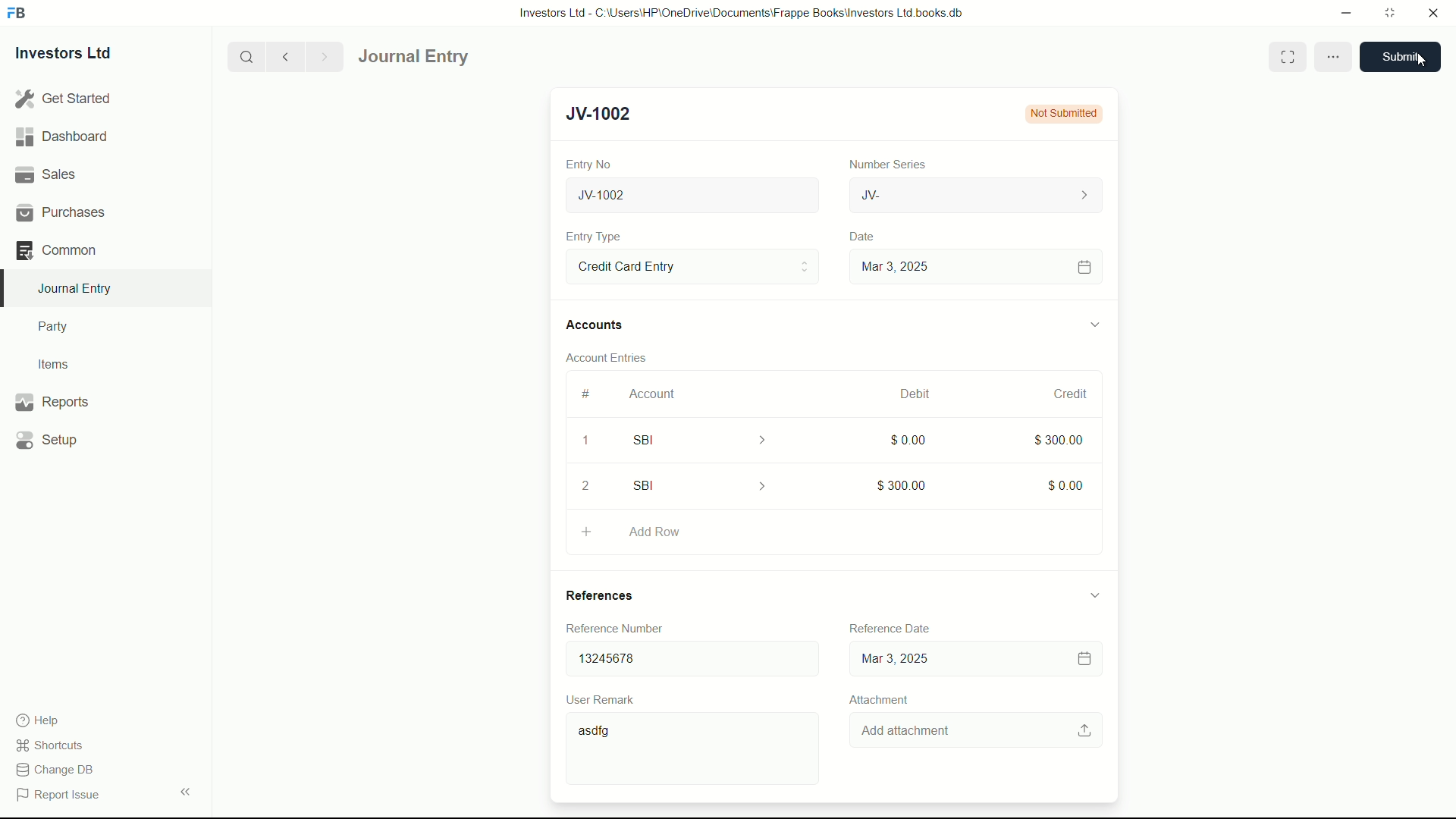 This screenshot has height=819, width=1456. What do you see at coordinates (17, 14) in the screenshot?
I see `FrappeBooks logo` at bounding box center [17, 14].